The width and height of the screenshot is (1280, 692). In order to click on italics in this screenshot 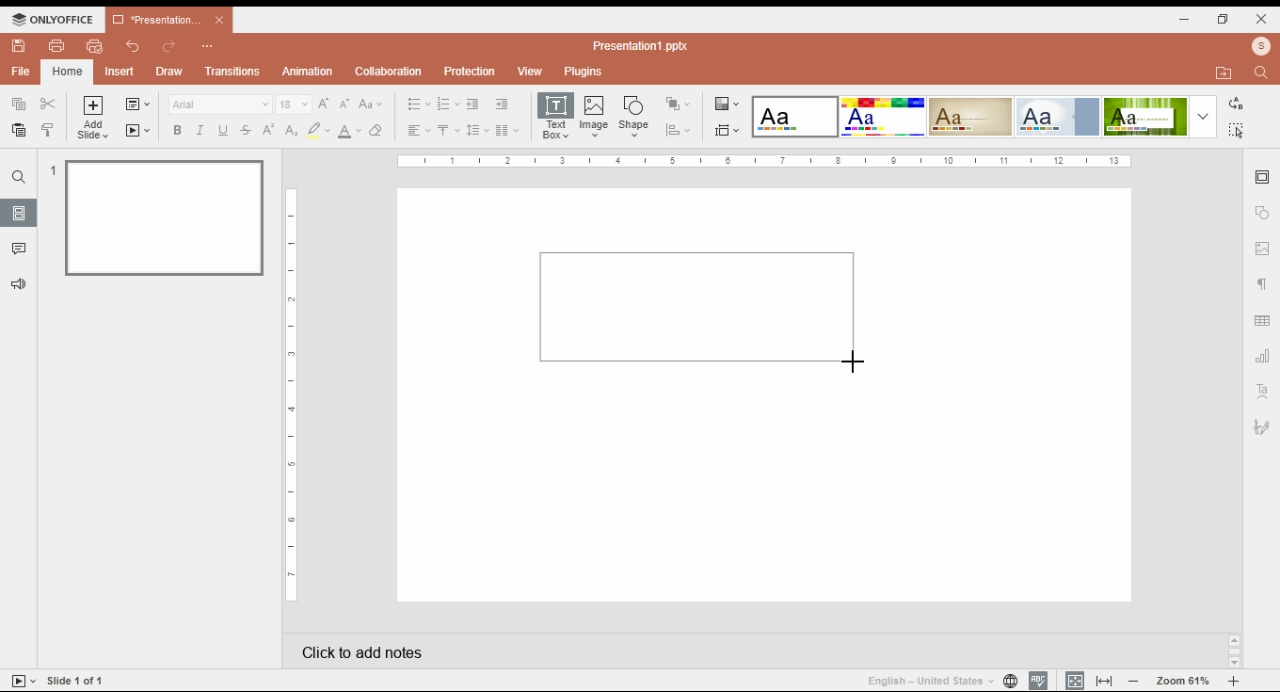, I will do `click(200, 130)`.